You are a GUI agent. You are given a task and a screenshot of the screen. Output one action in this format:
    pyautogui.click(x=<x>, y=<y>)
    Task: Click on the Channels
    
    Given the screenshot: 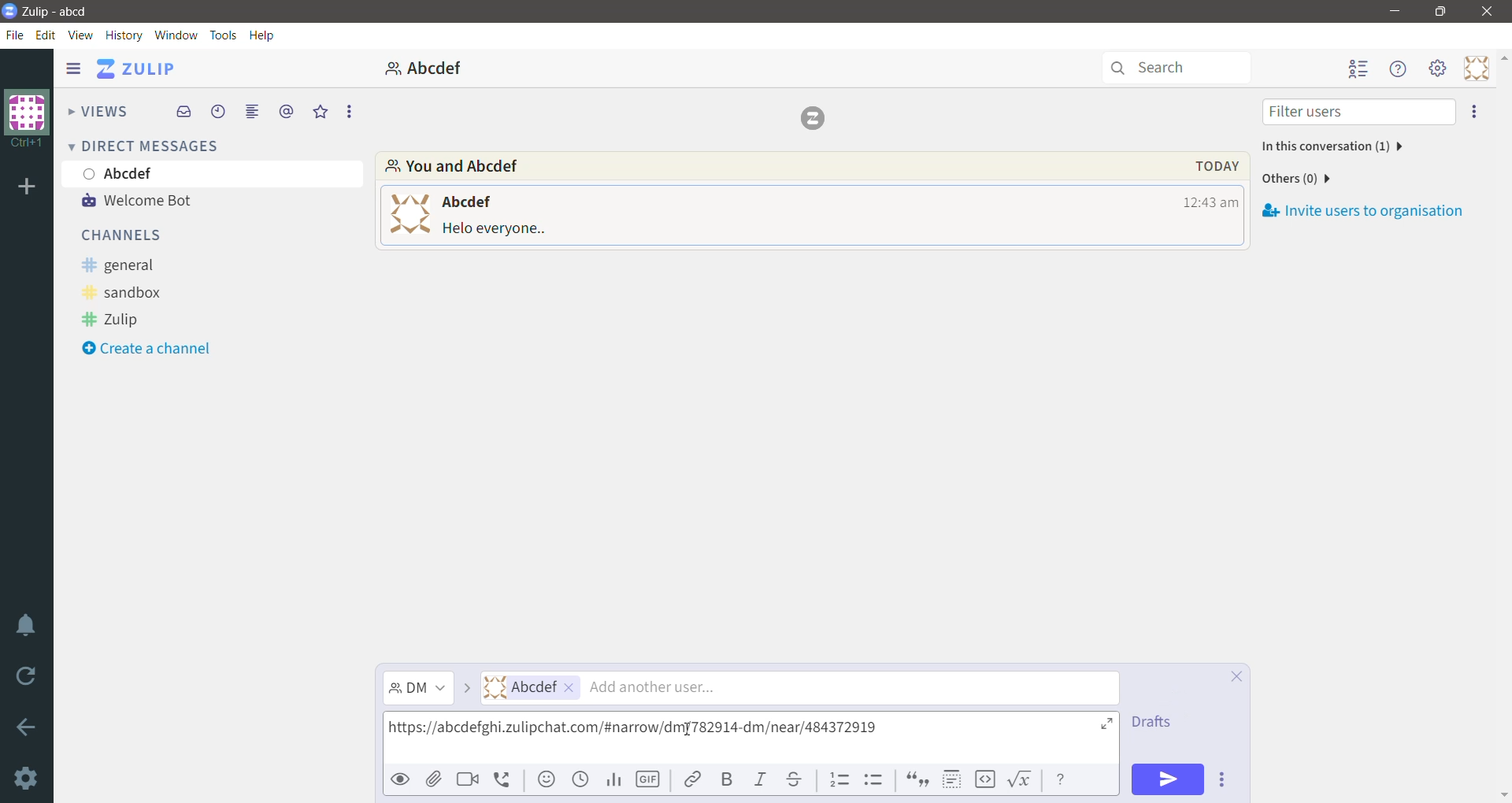 What is the action you would take?
    pyautogui.click(x=128, y=237)
    